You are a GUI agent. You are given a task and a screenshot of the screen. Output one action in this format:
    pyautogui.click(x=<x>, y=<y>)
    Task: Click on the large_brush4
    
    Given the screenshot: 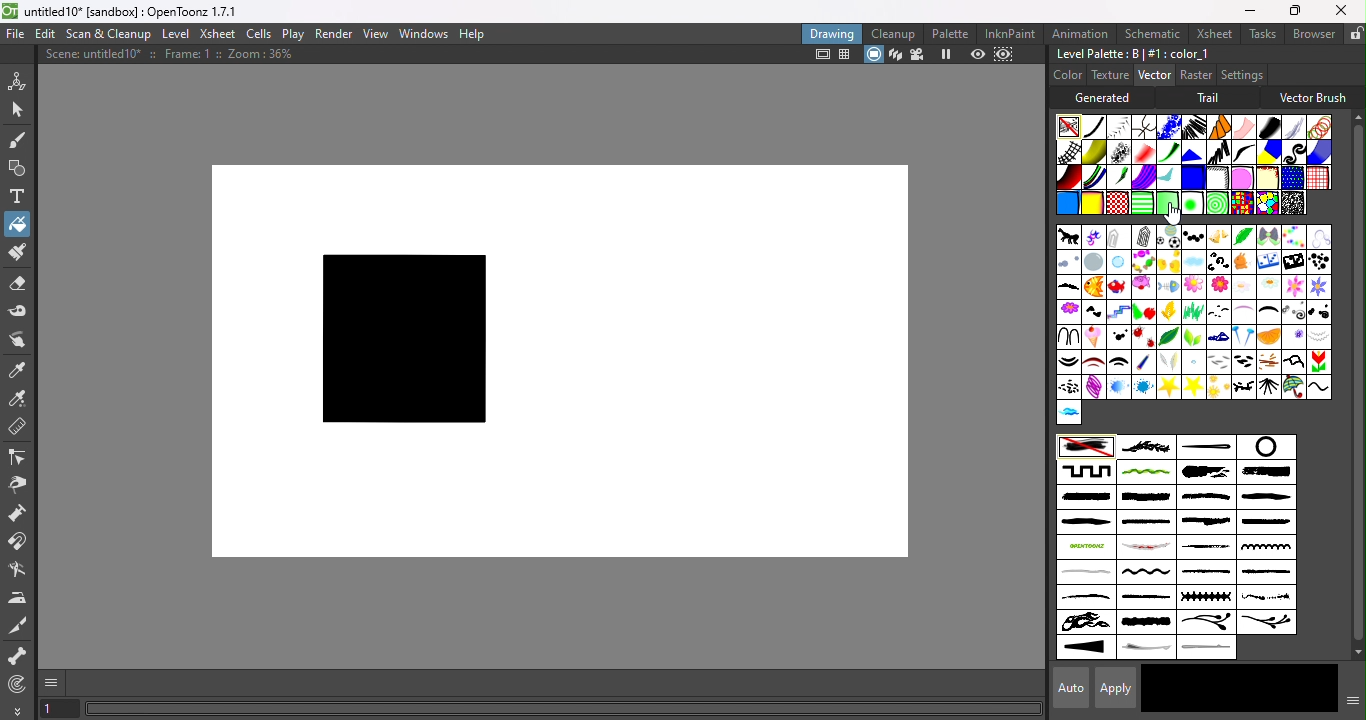 What is the action you would take?
    pyautogui.click(x=1145, y=498)
    